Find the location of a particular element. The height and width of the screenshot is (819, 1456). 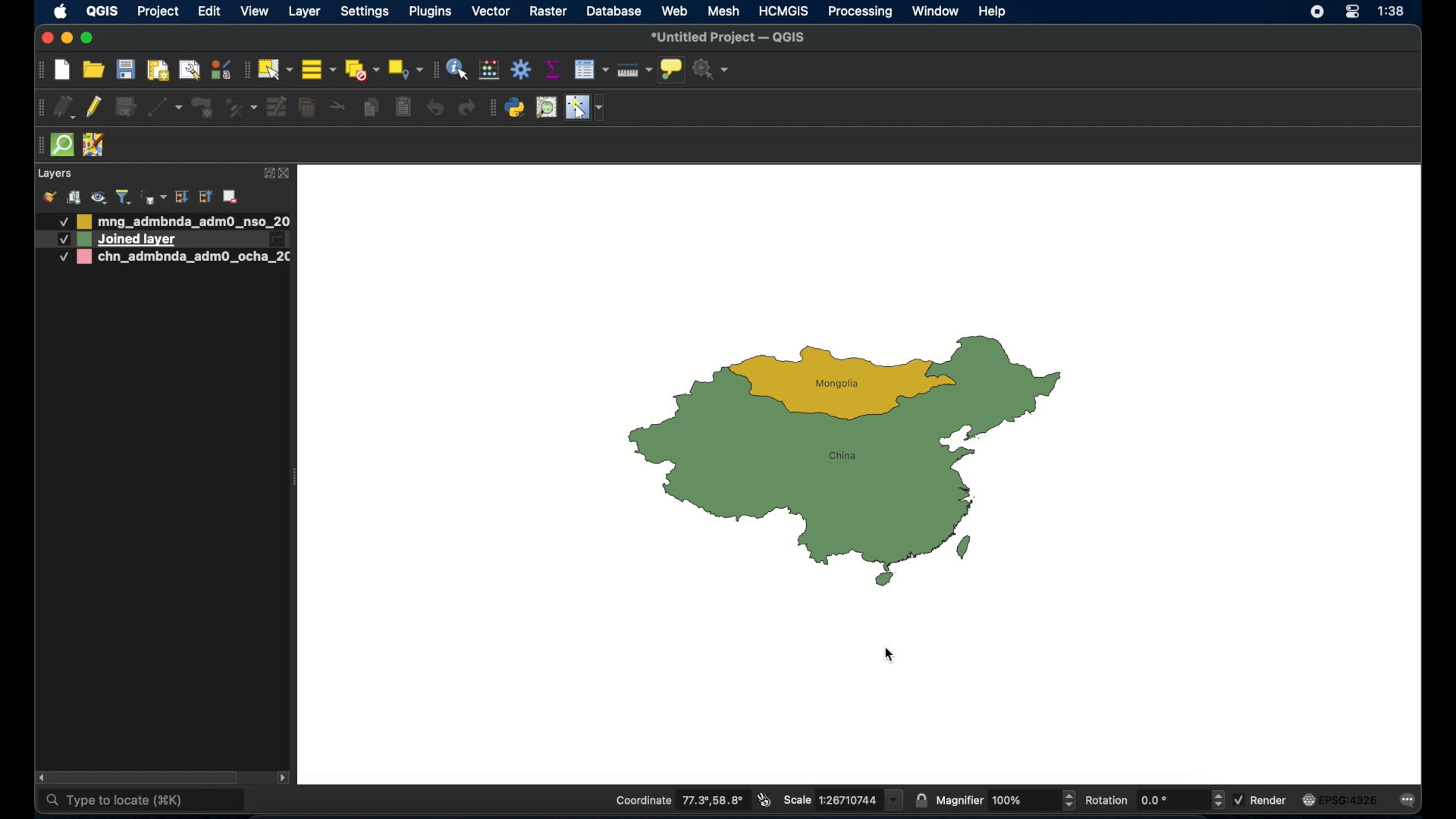

minimize is located at coordinates (67, 39).